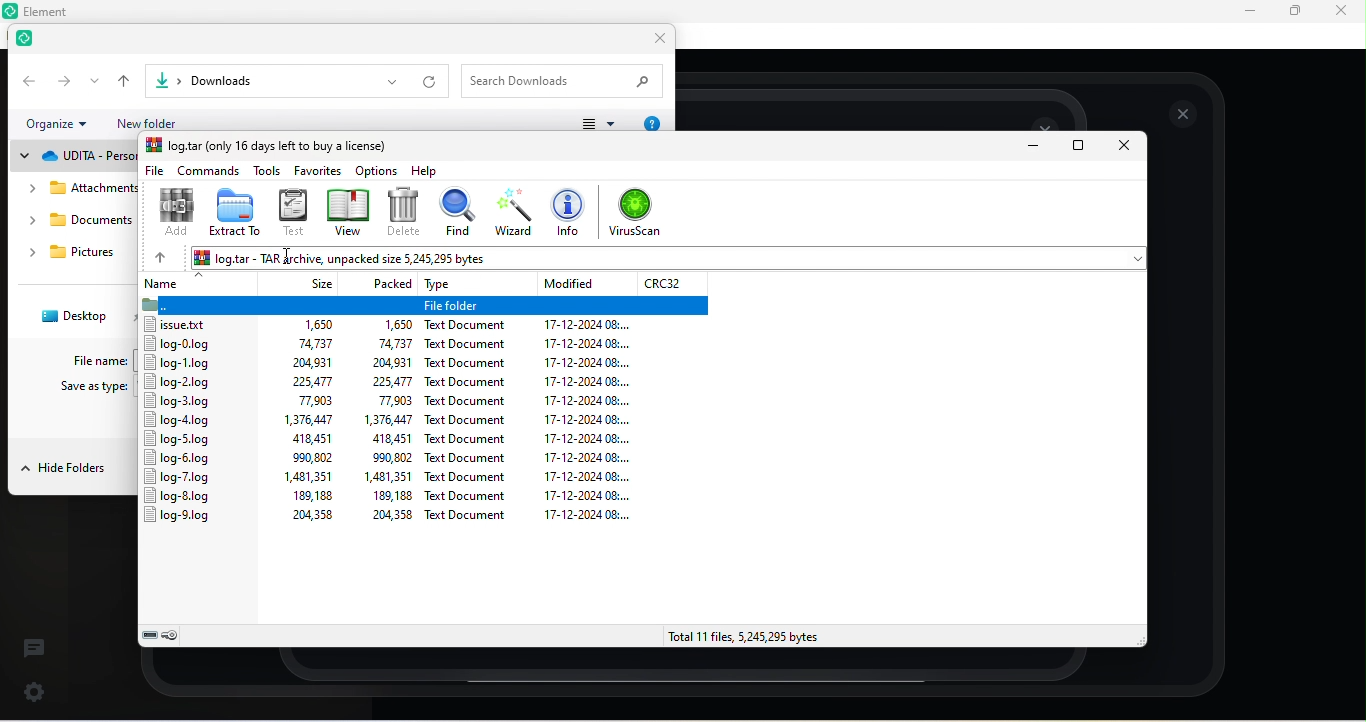 This screenshot has width=1366, height=722. Describe the element at coordinates (596, 458) in the screenshot. I see `17-12-2024 08:...` at that location.